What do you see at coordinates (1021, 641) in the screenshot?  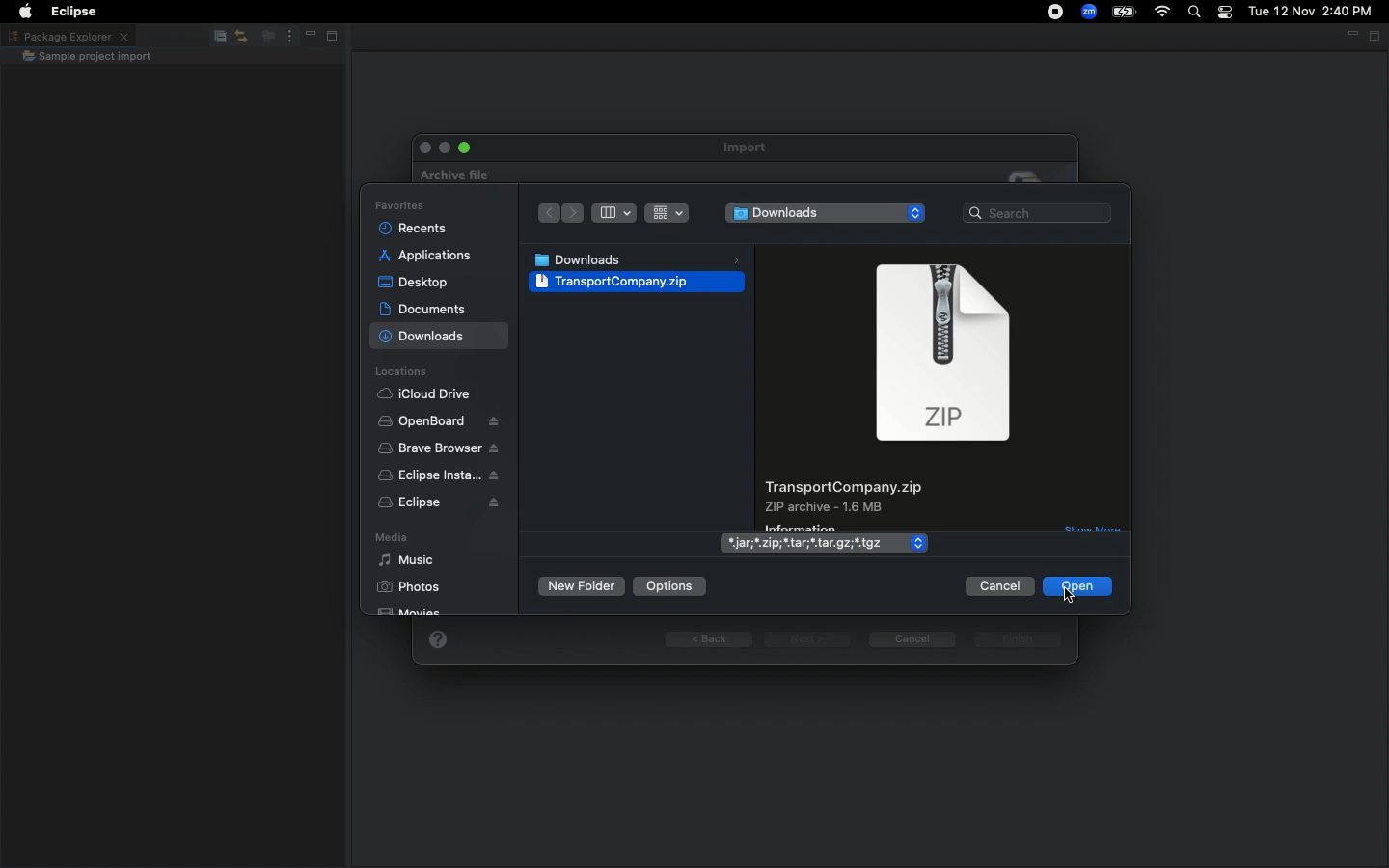 I see `Finish` at bounding box center [1021, 641].